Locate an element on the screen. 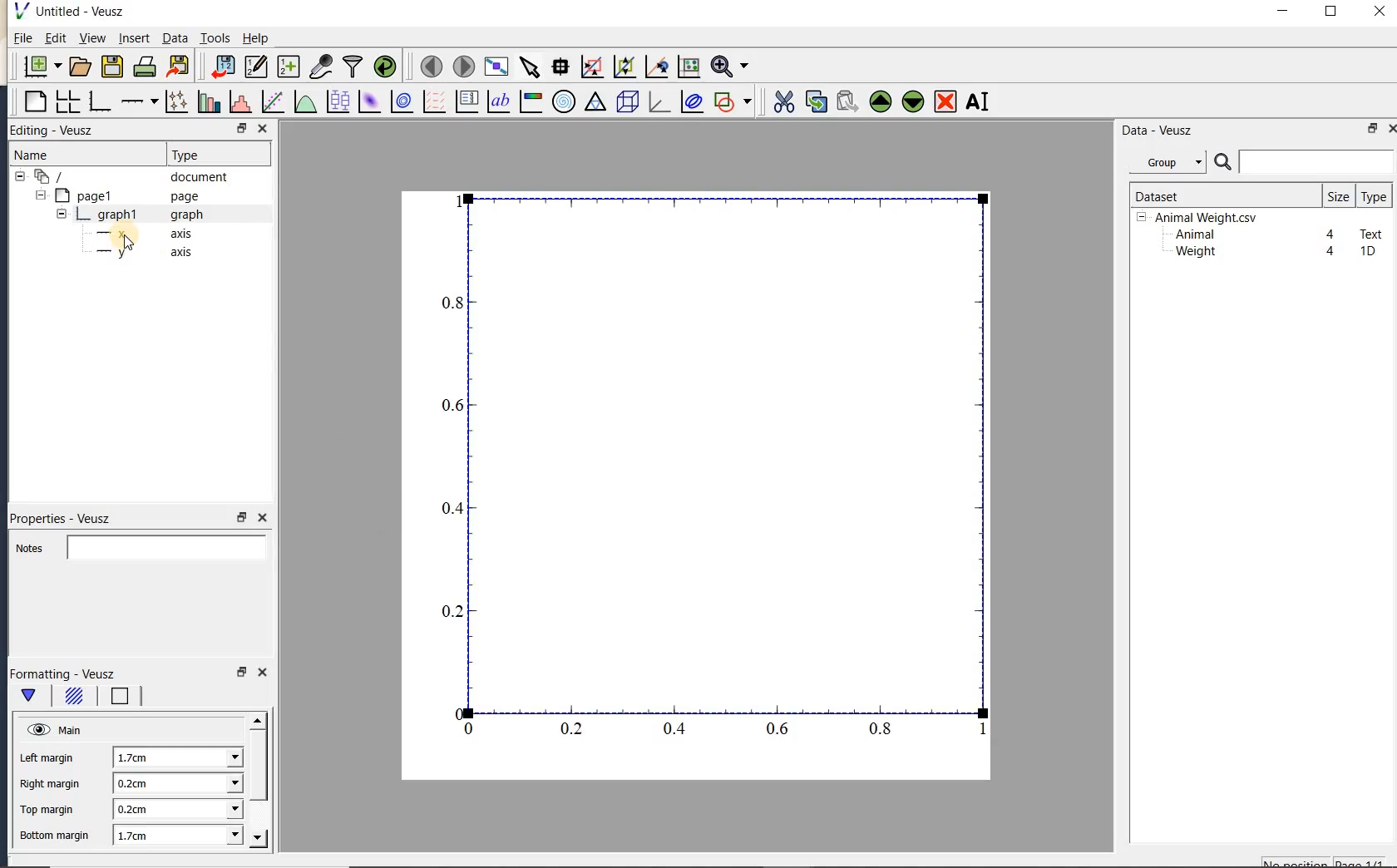 This screenshot has width=1397, height=868. 1D is located at coordinates (1367, 251).